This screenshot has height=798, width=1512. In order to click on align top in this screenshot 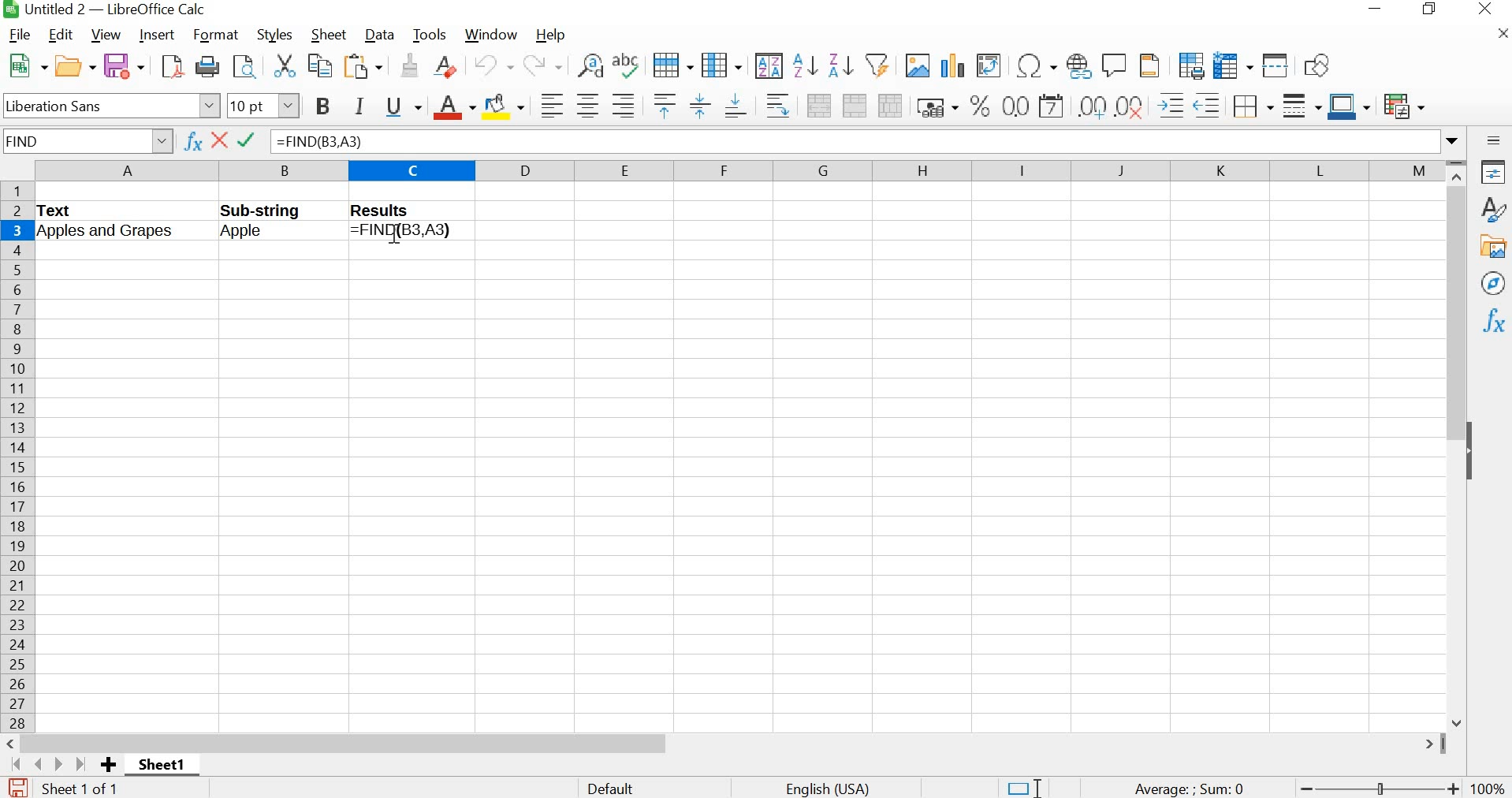, I will do `click(663, 106)`.